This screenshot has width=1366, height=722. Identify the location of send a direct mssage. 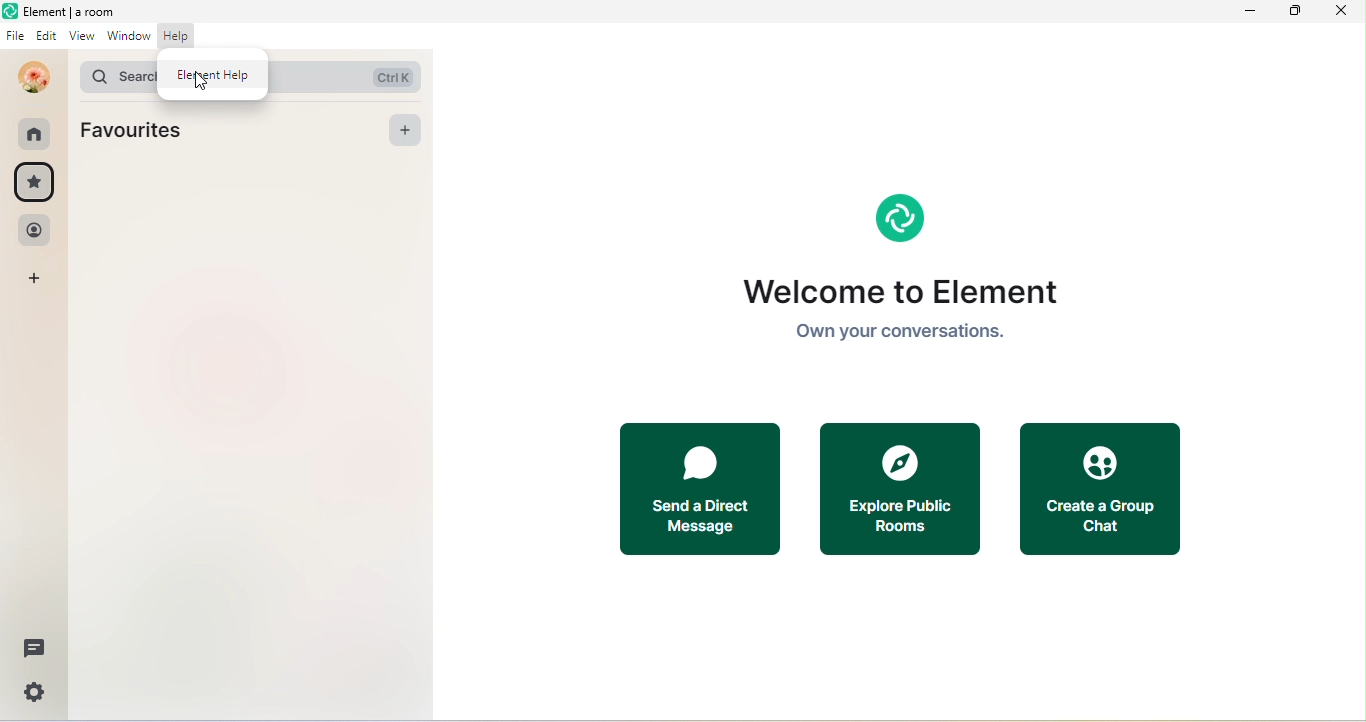
(703, 491).